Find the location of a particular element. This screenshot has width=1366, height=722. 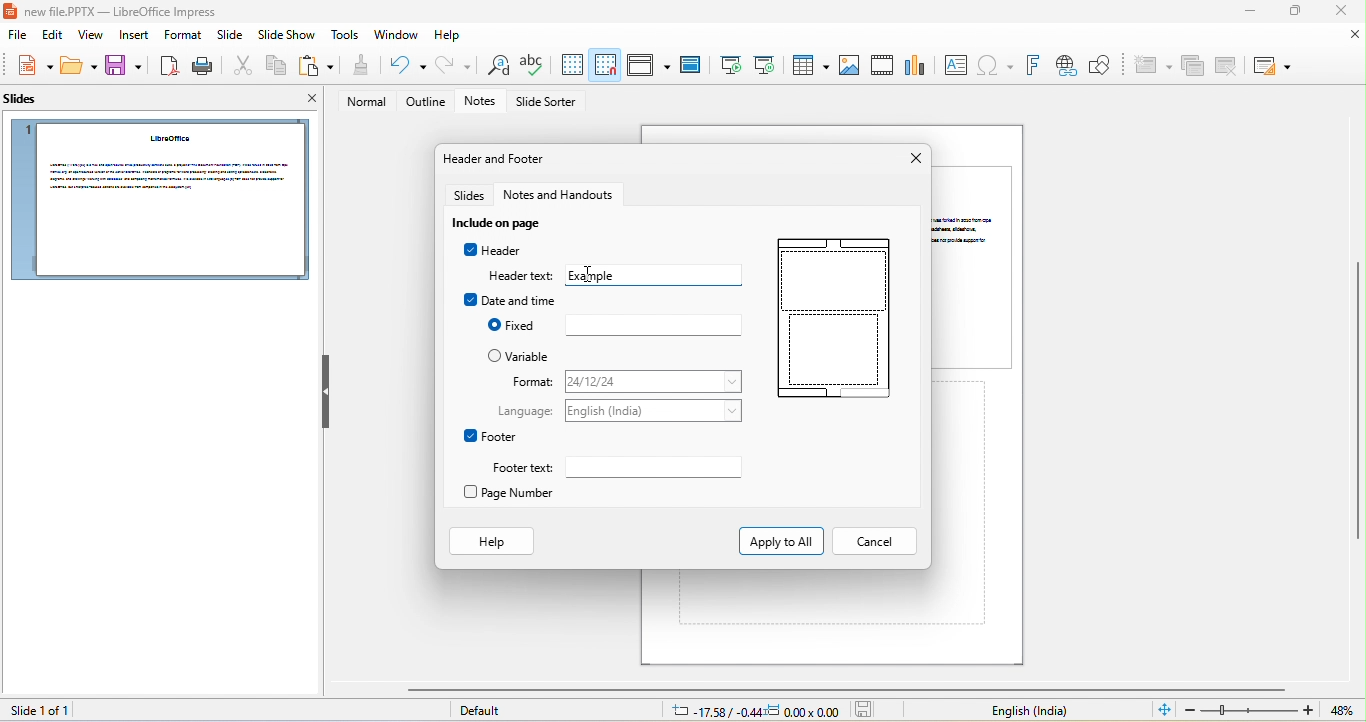

view is located at coordinates (92, 37).